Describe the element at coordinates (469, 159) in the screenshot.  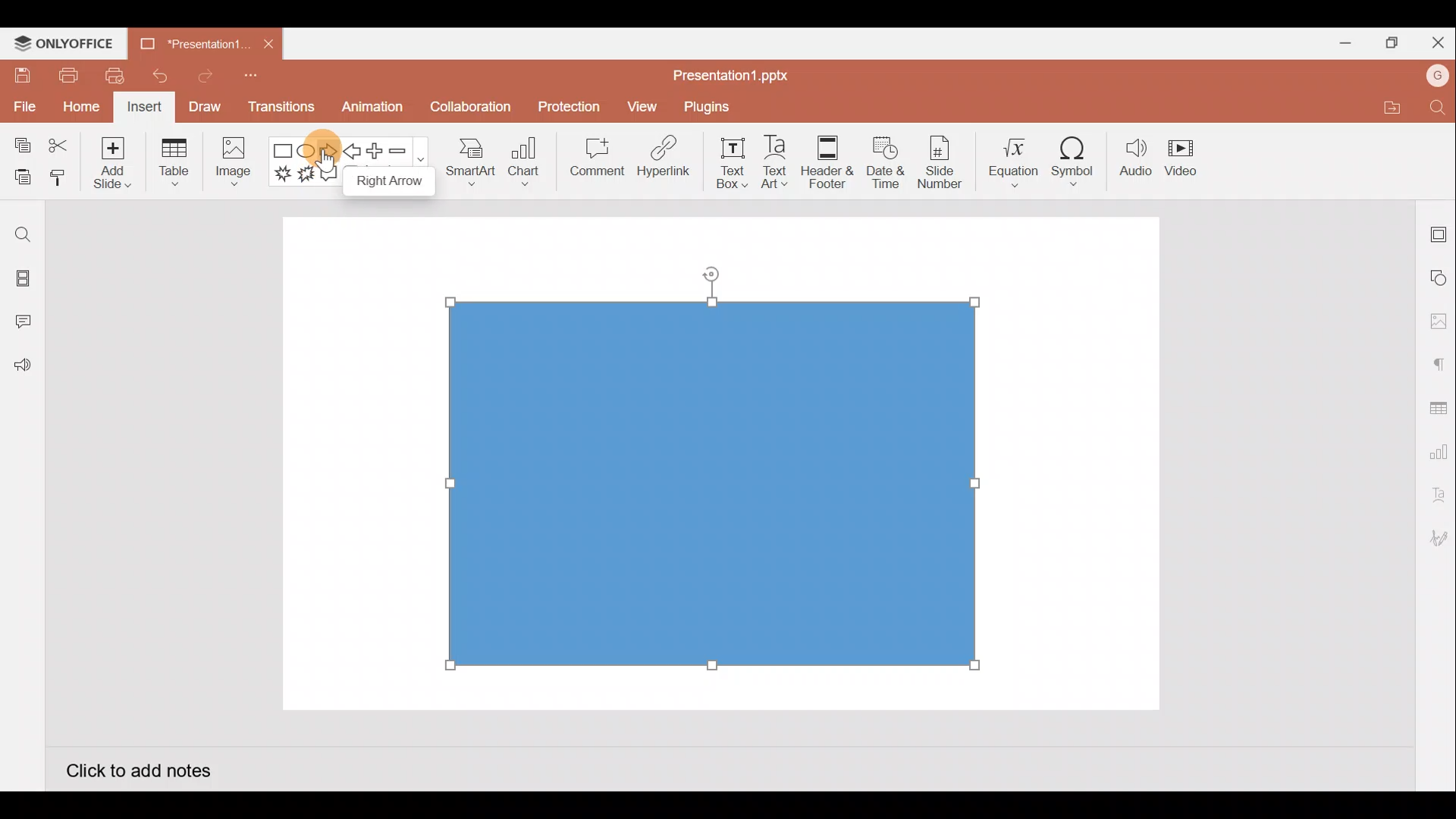
I see `SmartArt` at that location.